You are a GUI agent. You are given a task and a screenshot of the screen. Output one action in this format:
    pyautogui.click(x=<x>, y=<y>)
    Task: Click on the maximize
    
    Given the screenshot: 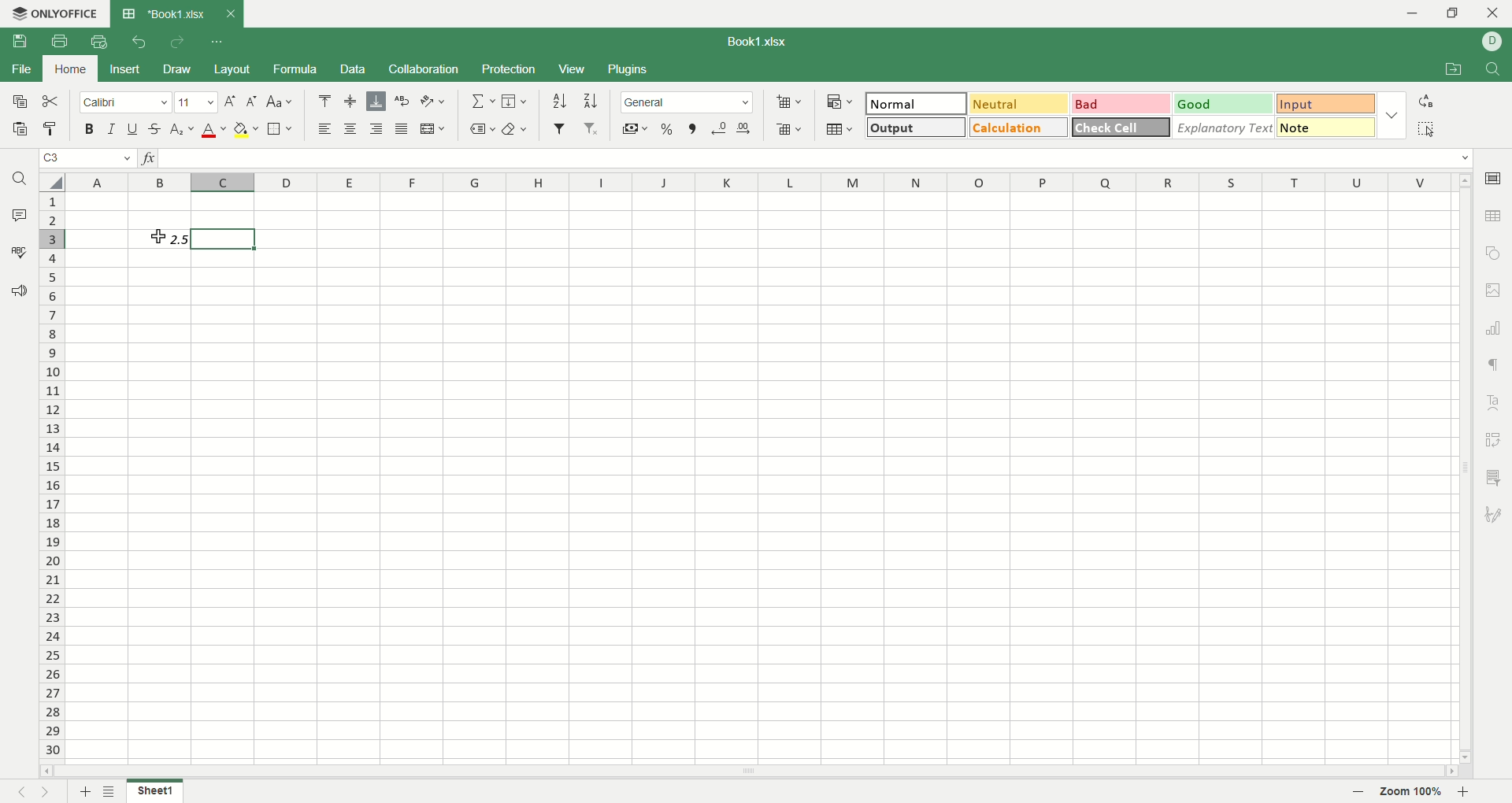 What is the action you would take?
    pyautogui.click(x=1457, y=16)
    